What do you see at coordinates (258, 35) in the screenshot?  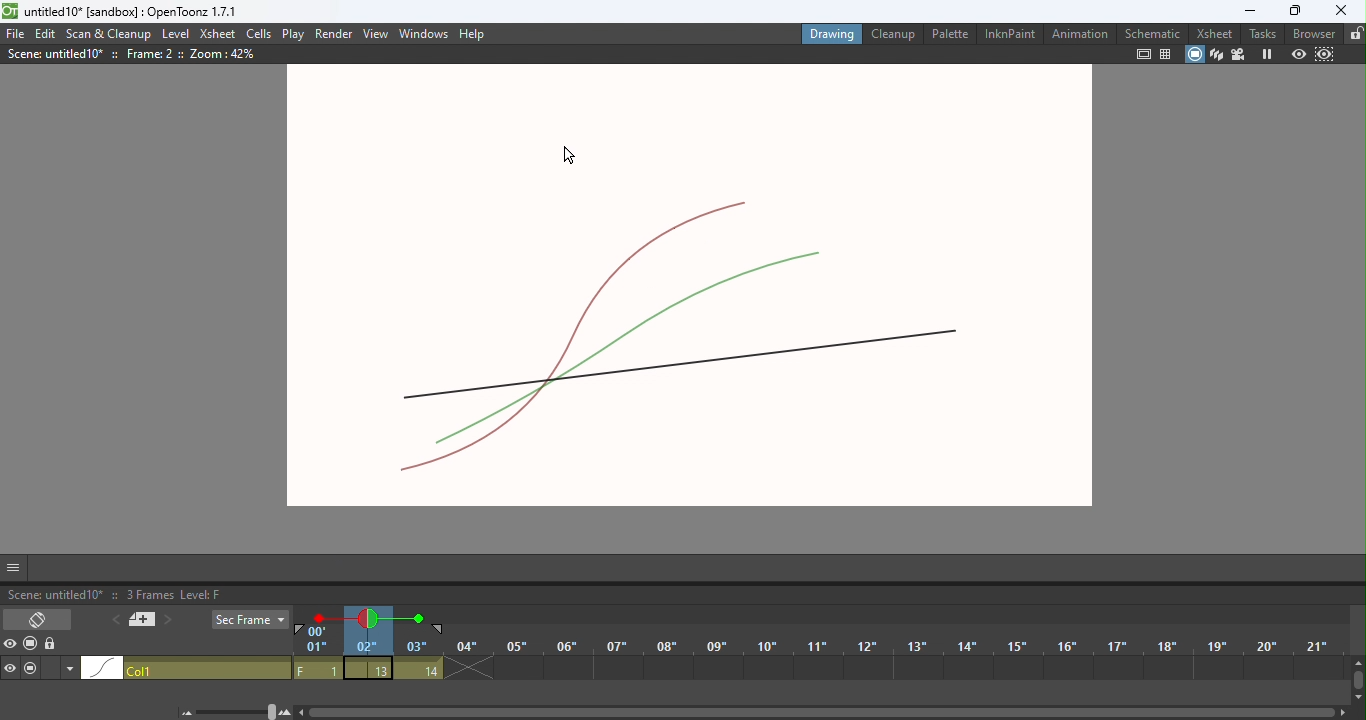 I see `Cells` at bounding box center [258, 35].